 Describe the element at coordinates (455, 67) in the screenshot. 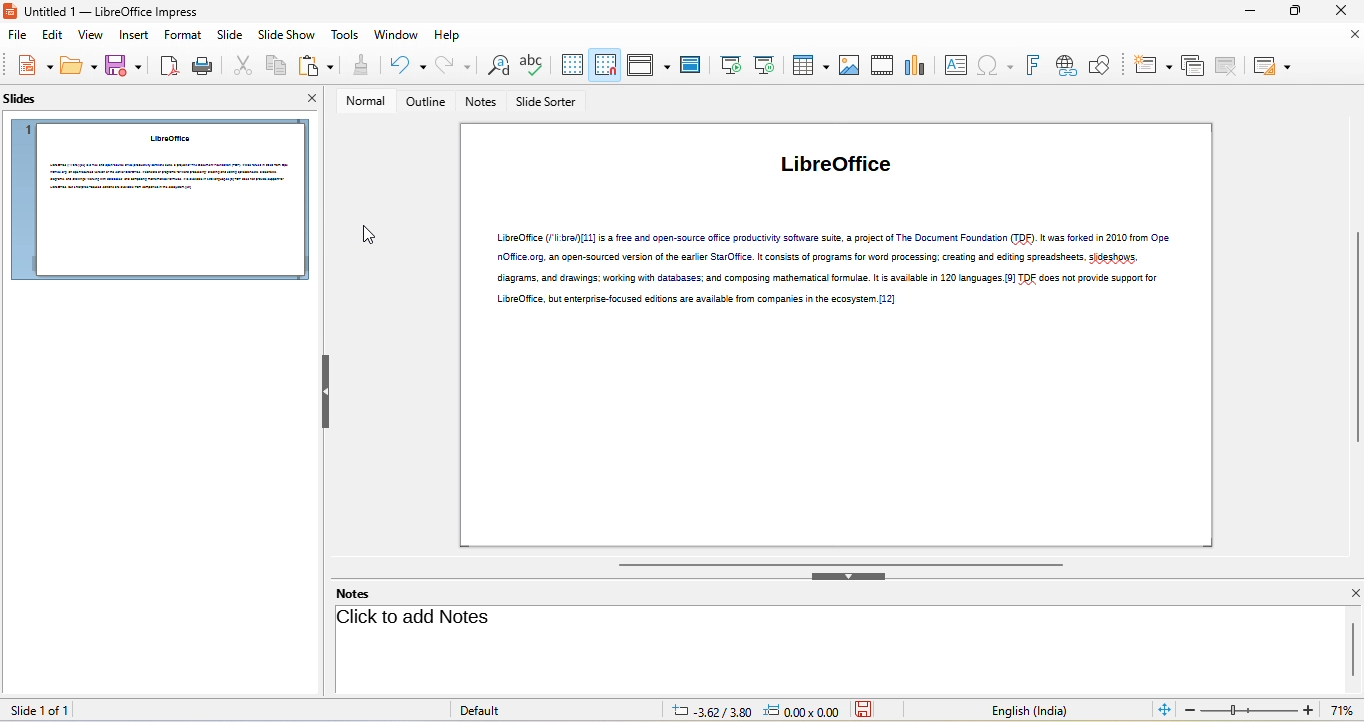

I see `redo` at that location.